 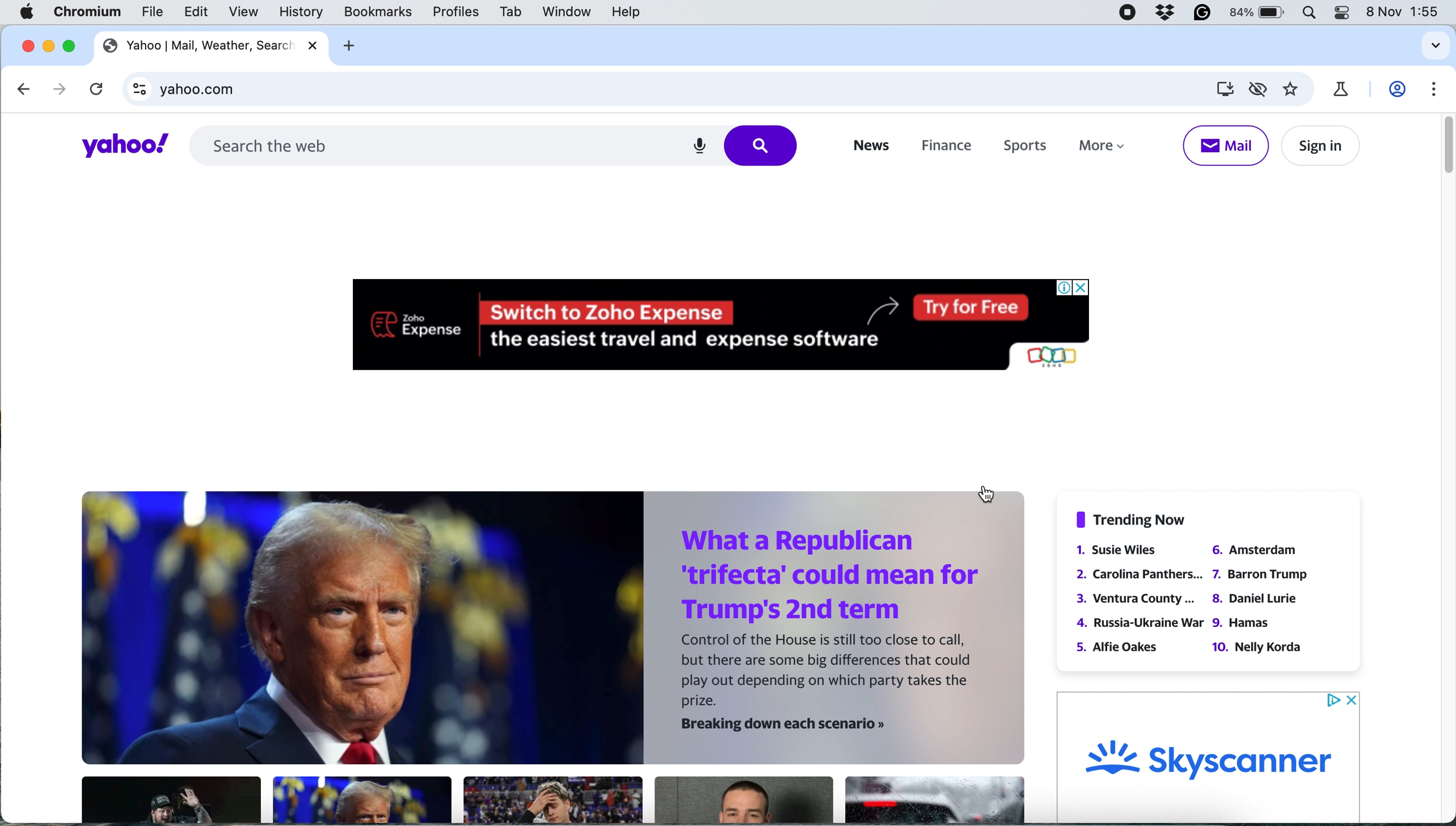 What do you see at coordinates (556, 629) in the screenshot?
I see `news` at bounding box center [556, 629].